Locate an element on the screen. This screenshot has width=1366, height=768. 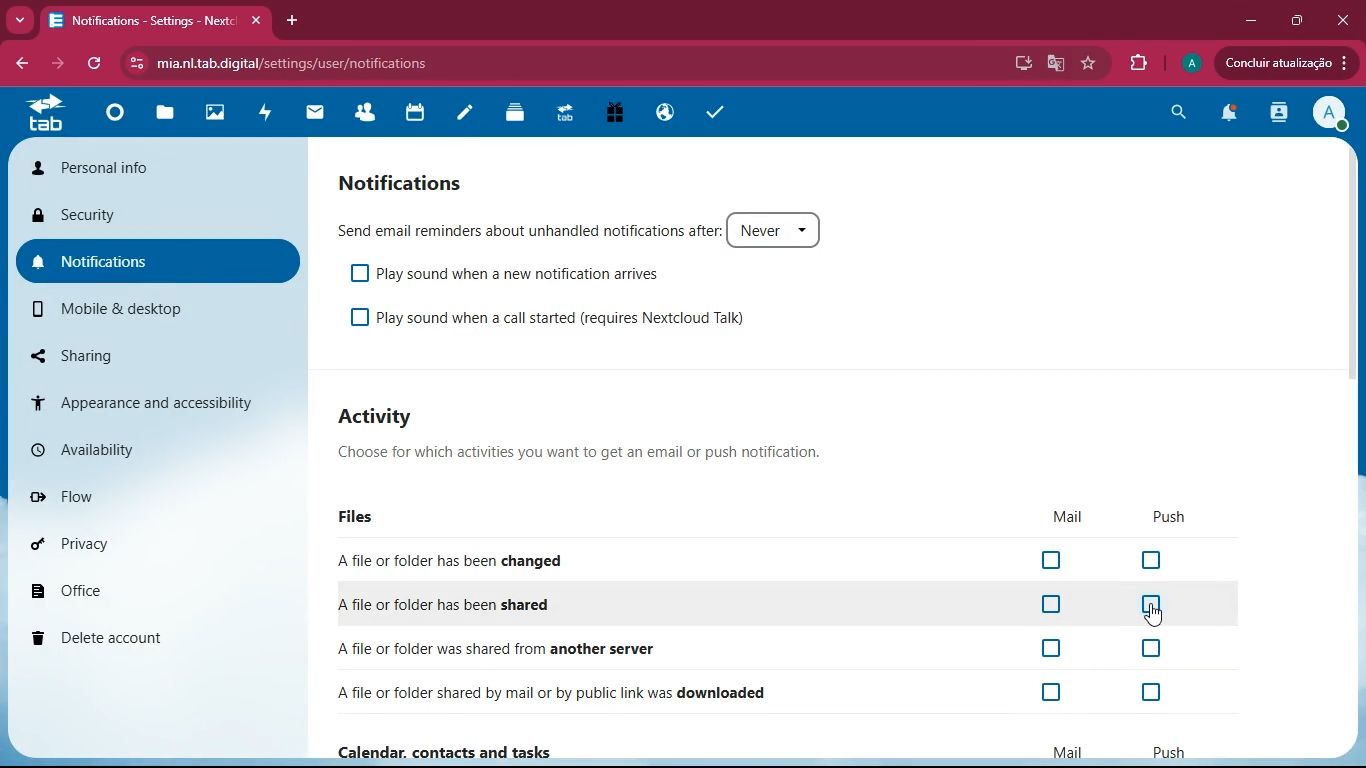
notifications is located at coordinates (160, 261).